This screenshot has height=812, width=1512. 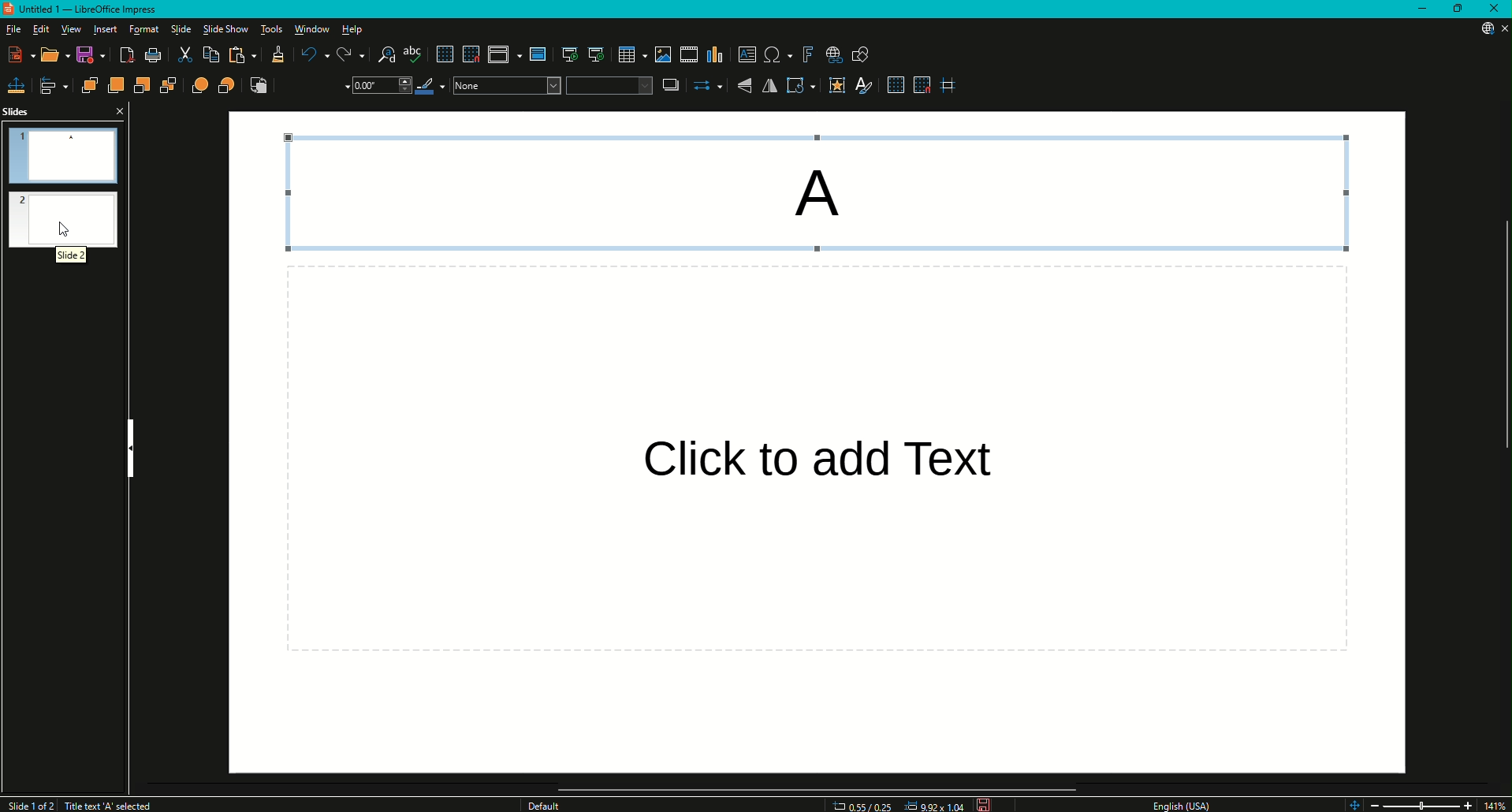 What do you see at coordinates (206, 54) in the screenshot?
I see `Copy` at bounding box center [206, 54].